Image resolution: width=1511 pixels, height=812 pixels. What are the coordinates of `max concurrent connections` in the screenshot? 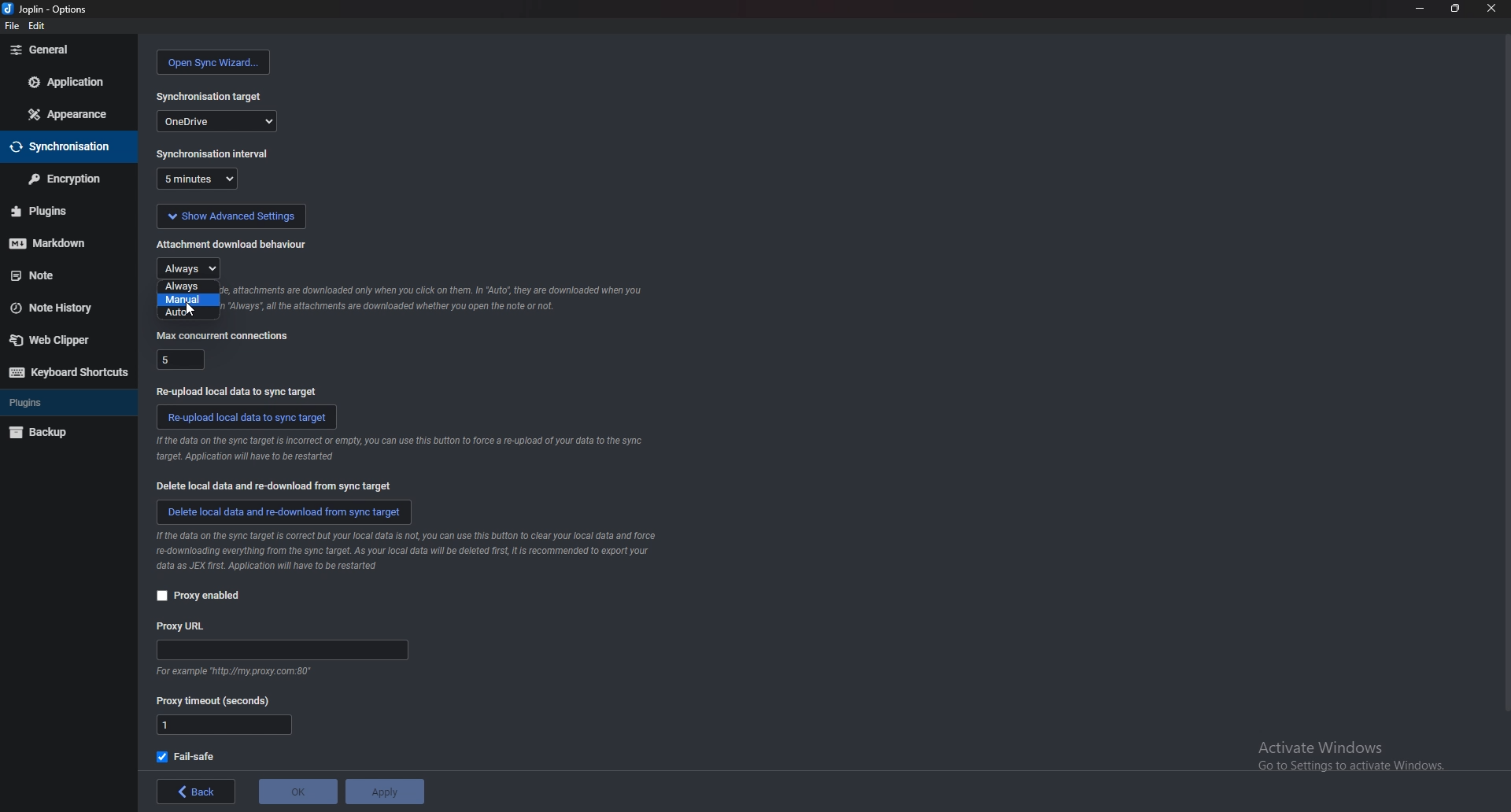 It's located at (224, 335).